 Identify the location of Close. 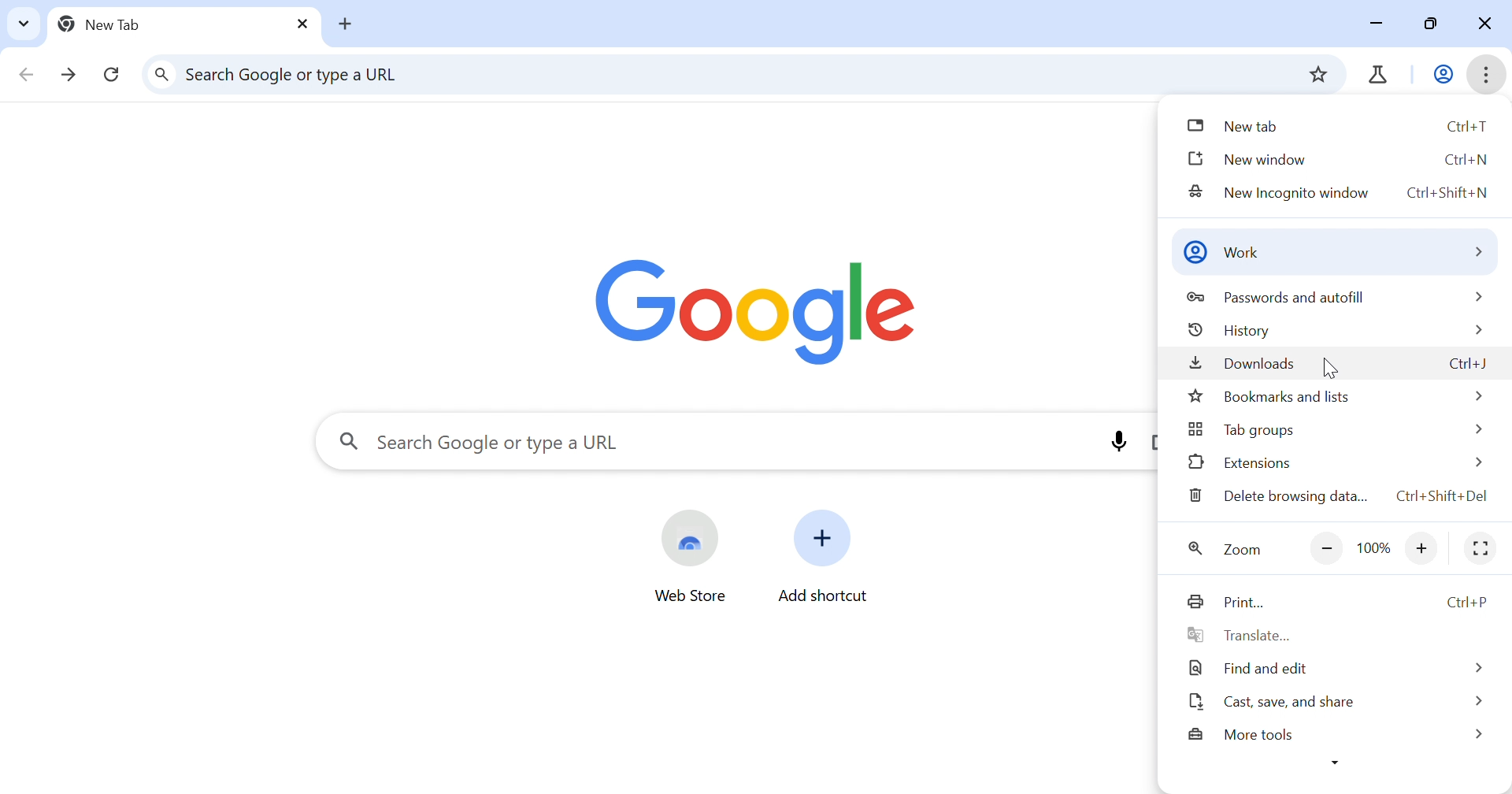
(301, 25).